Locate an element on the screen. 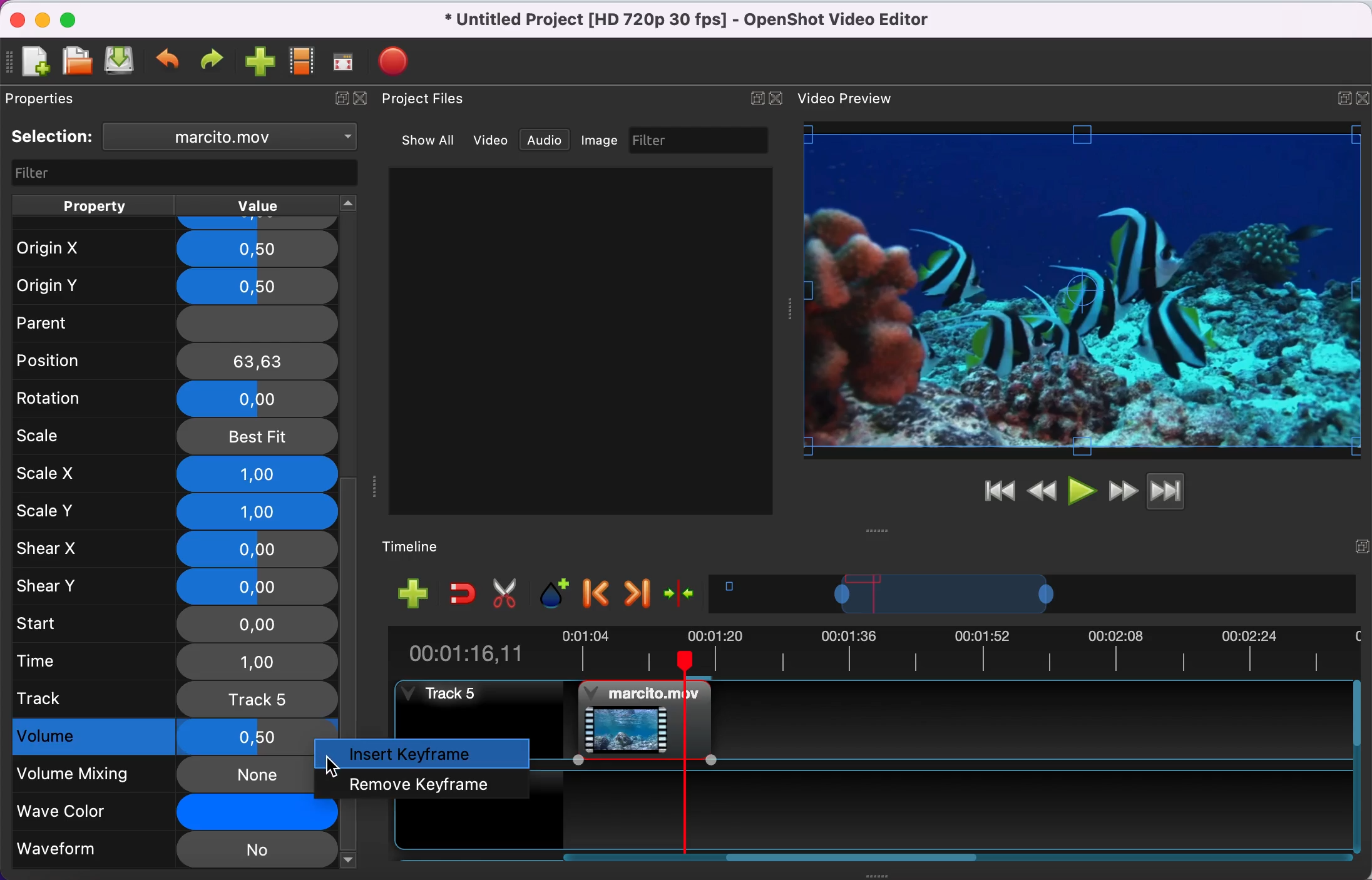 The height and width of the screenshot is (880, 1372). add track is located at coordinates (412, 595).